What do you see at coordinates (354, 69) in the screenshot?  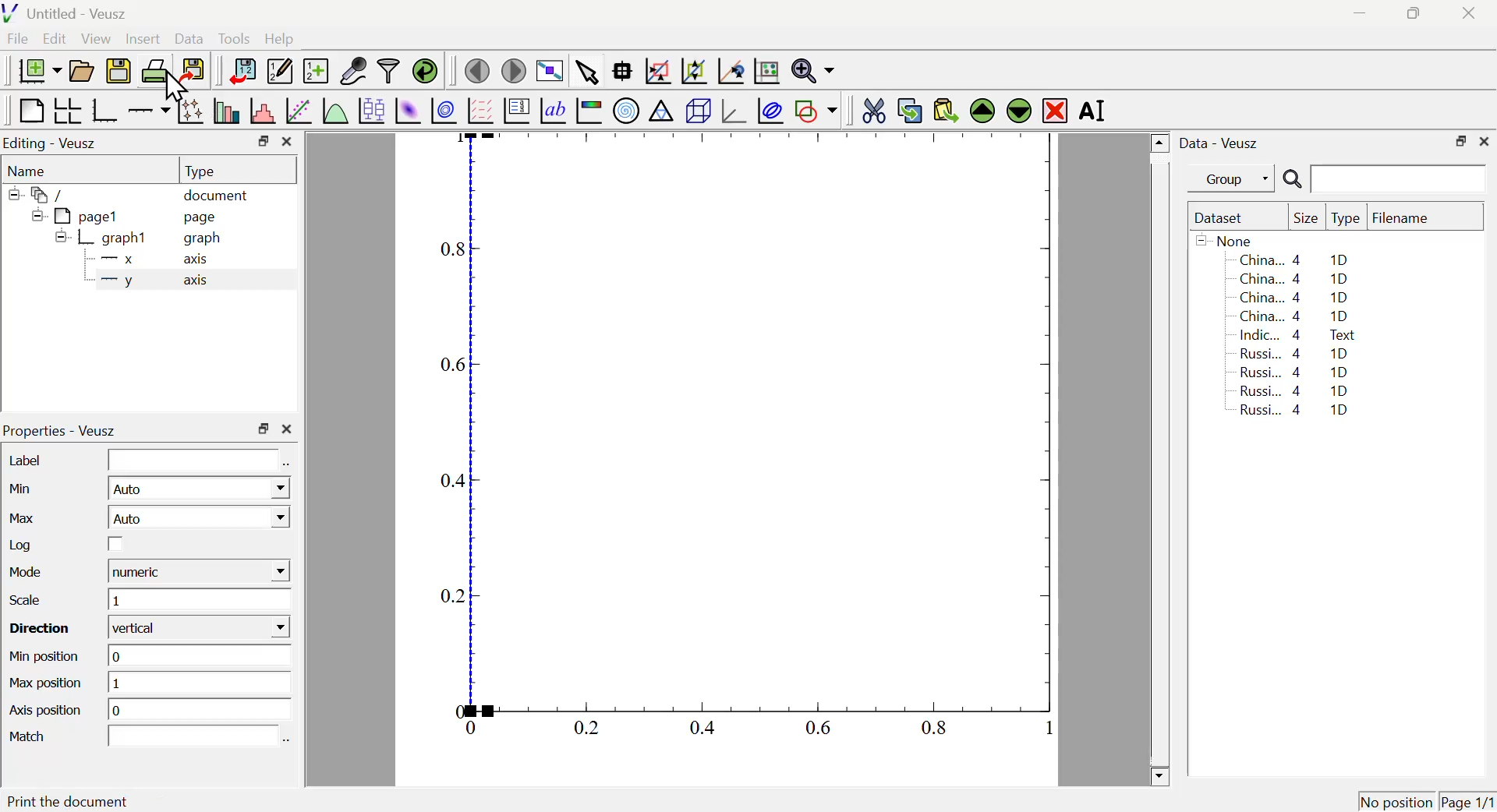 I see `Capture Remote Data` at bounding box center [354, 69].